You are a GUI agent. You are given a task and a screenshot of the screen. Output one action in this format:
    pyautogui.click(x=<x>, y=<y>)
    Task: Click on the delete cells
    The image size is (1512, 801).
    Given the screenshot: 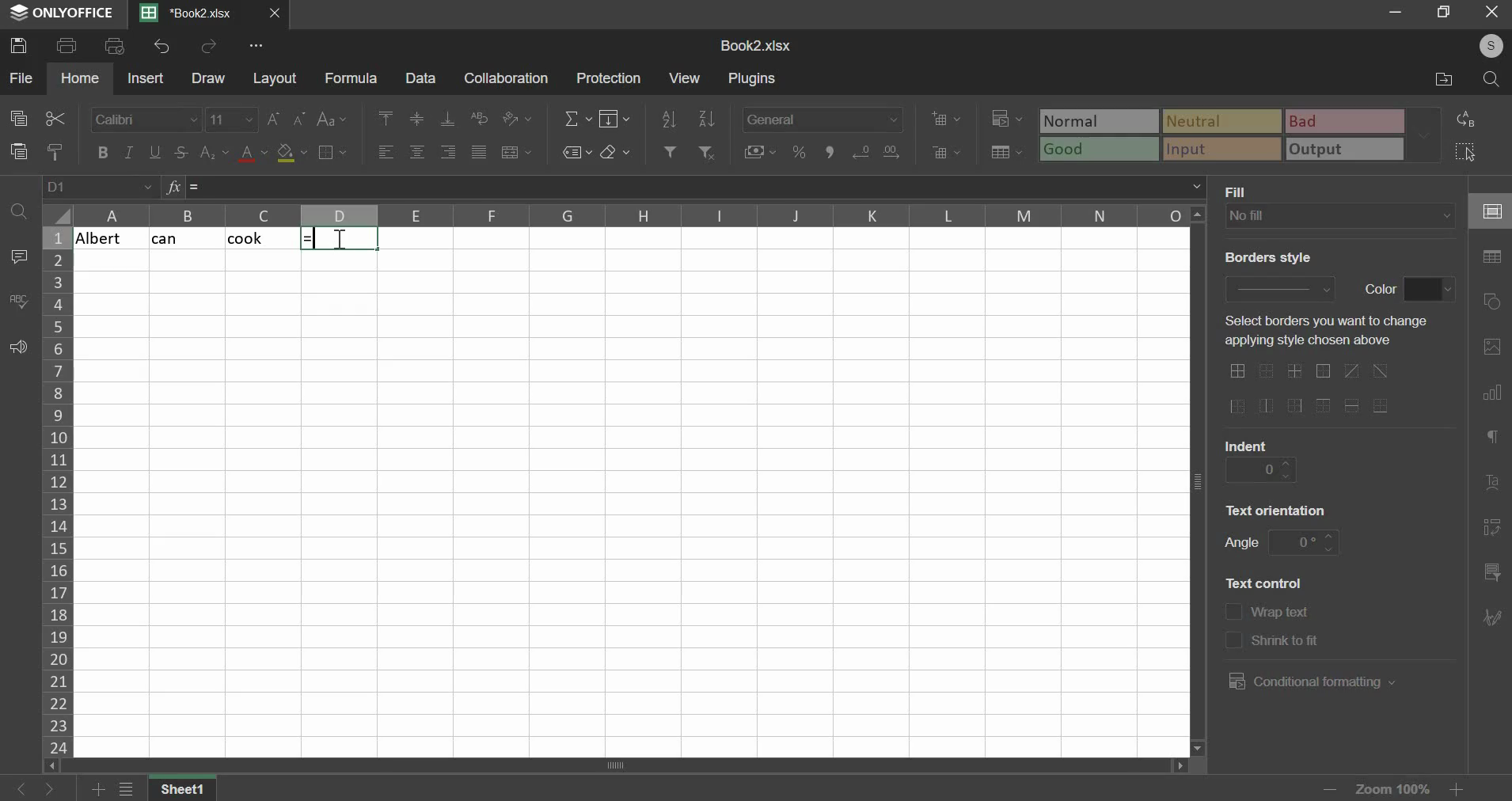 What is the action you would take?
    pyautogui.click(x=947, y=152)
    